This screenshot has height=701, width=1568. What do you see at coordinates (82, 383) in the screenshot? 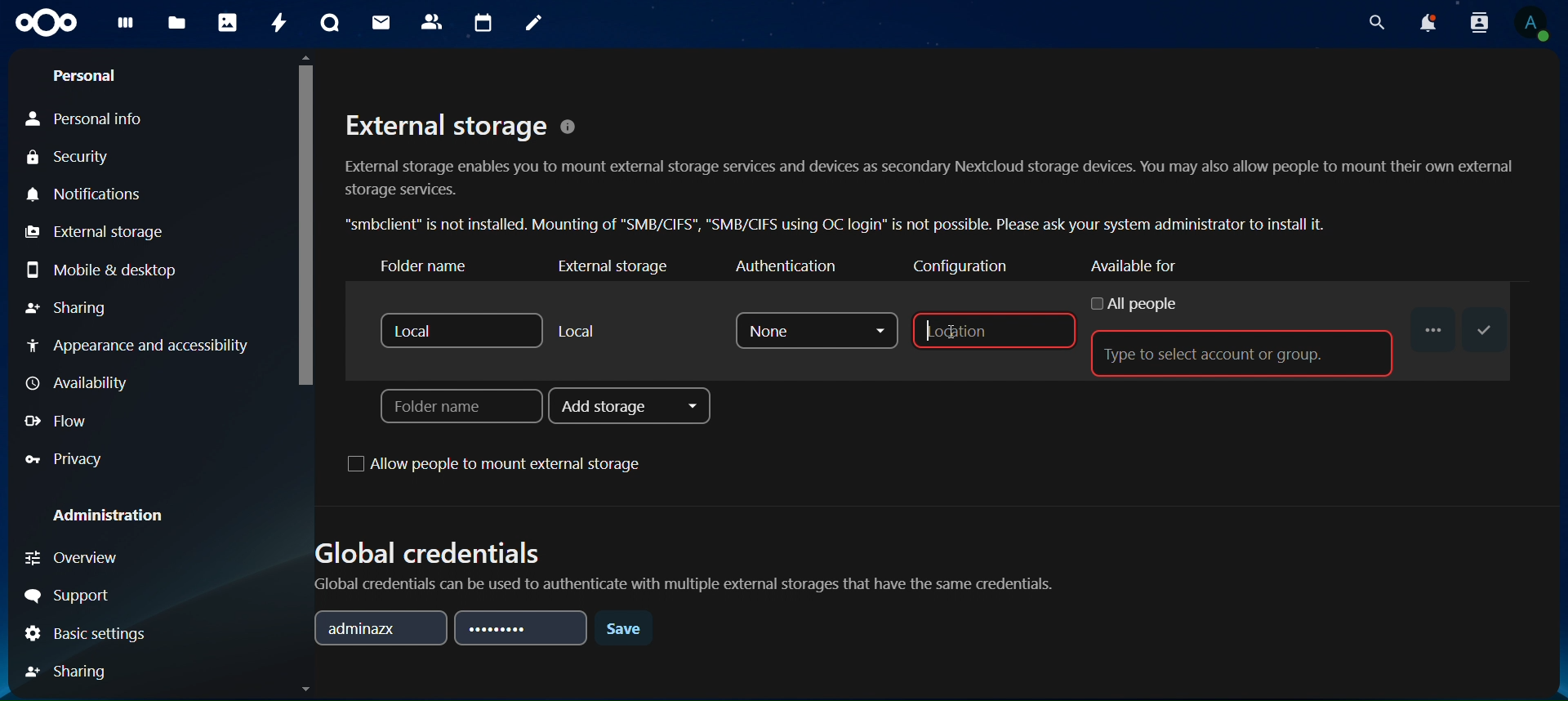
I see `availiabilty` at bounding box center [82, 383].